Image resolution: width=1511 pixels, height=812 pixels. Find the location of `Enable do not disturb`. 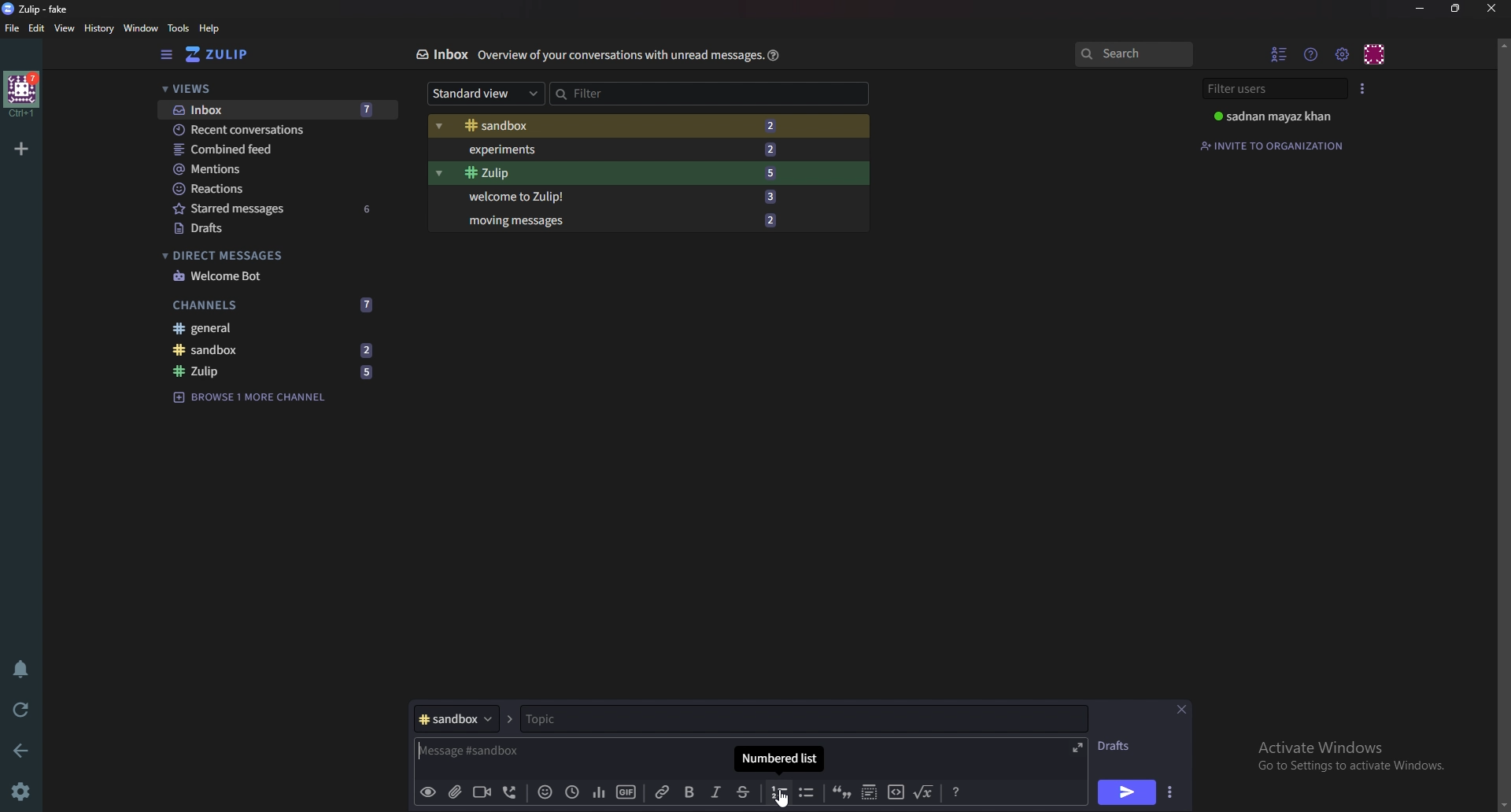

Enable do not disturb is located at coordinates (19, 670).